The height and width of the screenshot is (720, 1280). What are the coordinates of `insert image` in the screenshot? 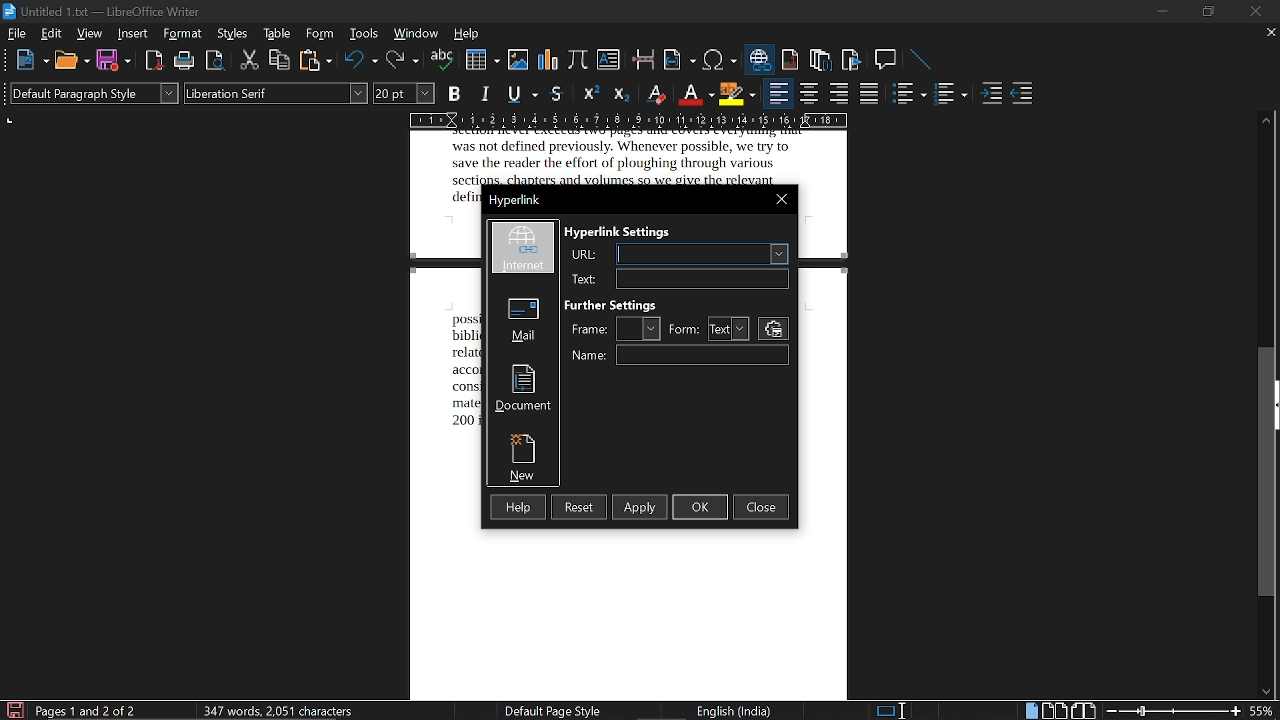 It's located at (518, 62).